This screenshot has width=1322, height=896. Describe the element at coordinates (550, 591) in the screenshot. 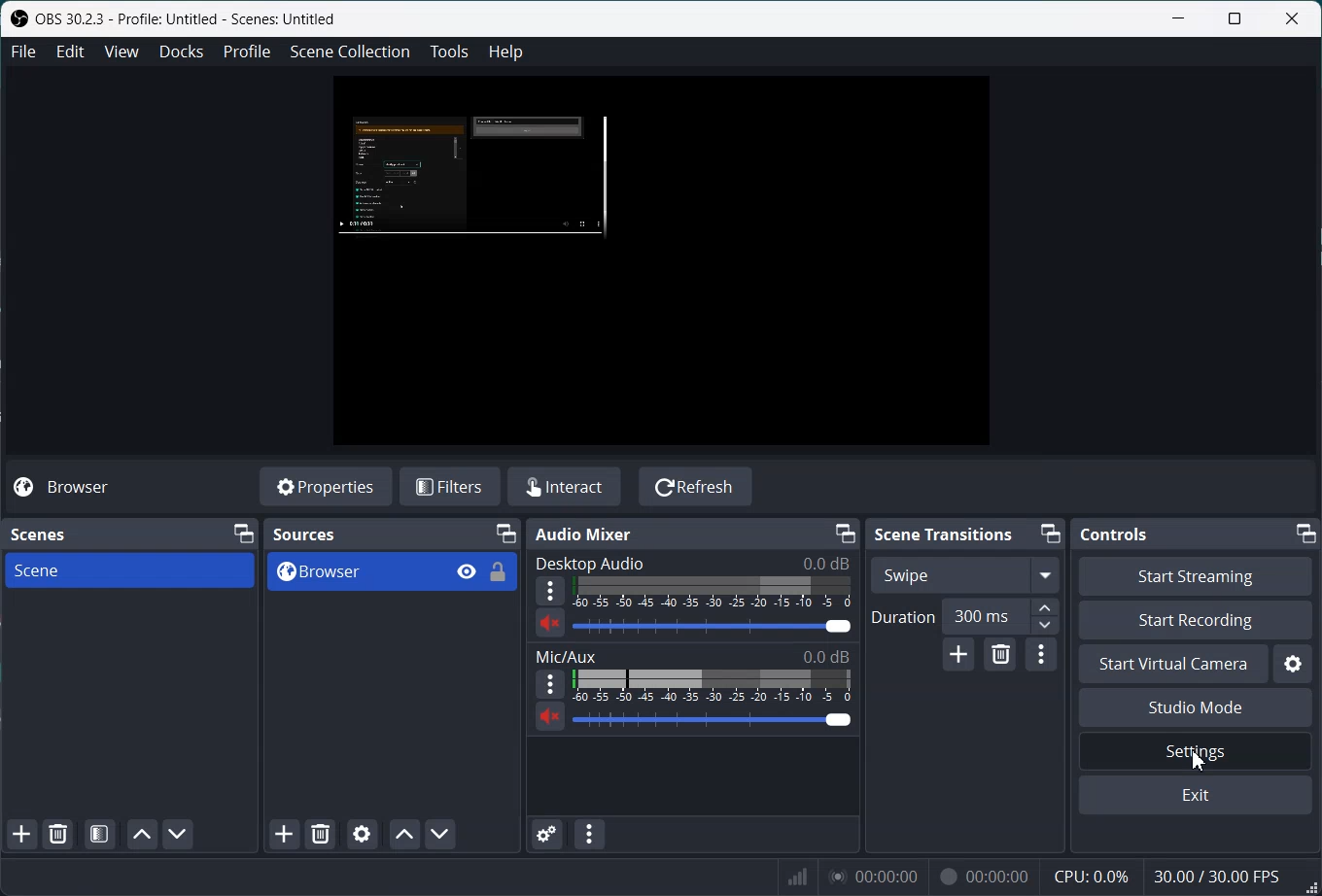

I see `More` at that location.